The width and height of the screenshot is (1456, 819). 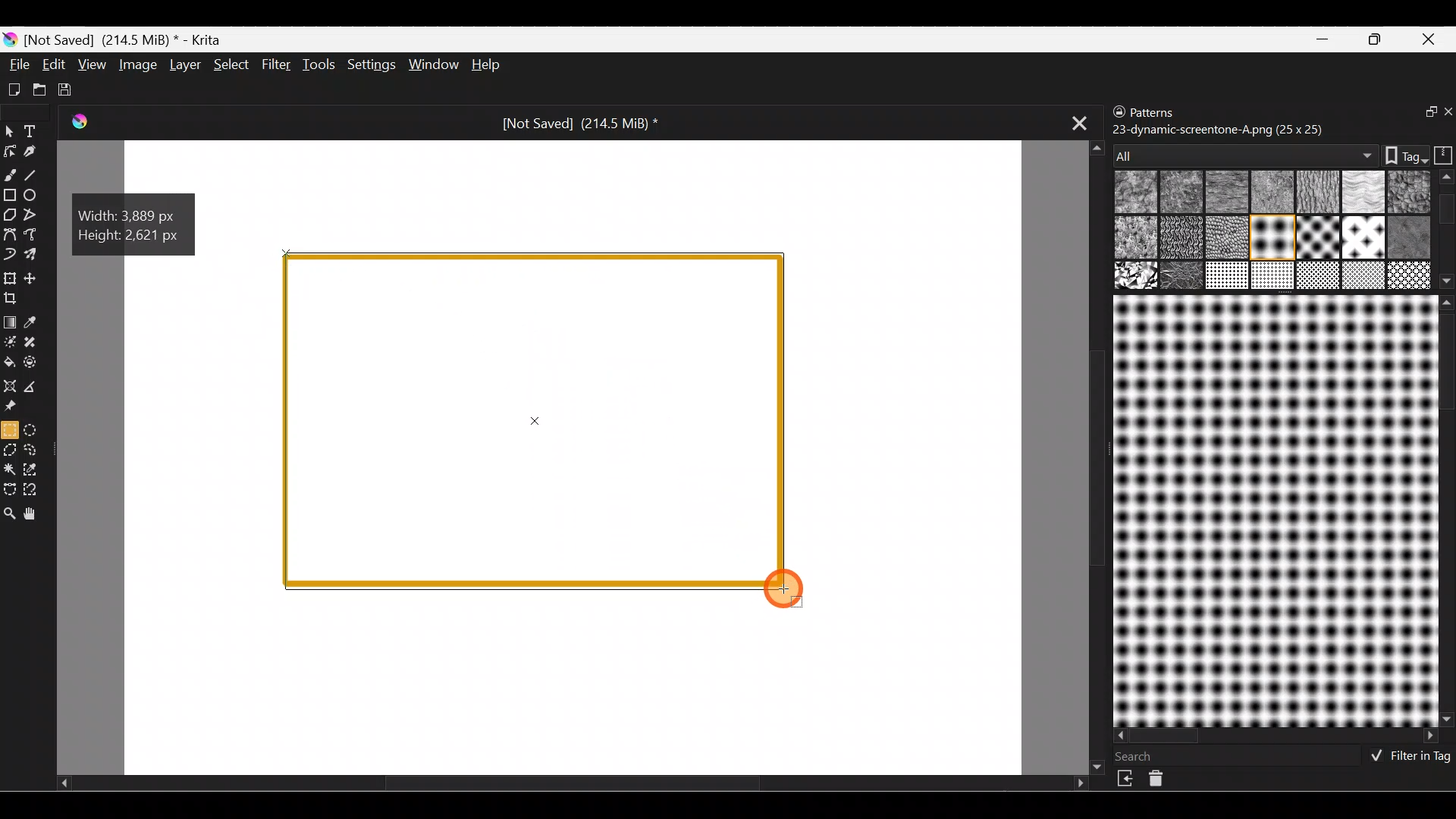 What do you see at coordinates (1272, 510) in the screenshot?
I see `Preview` at bounding box center [1272, 510].